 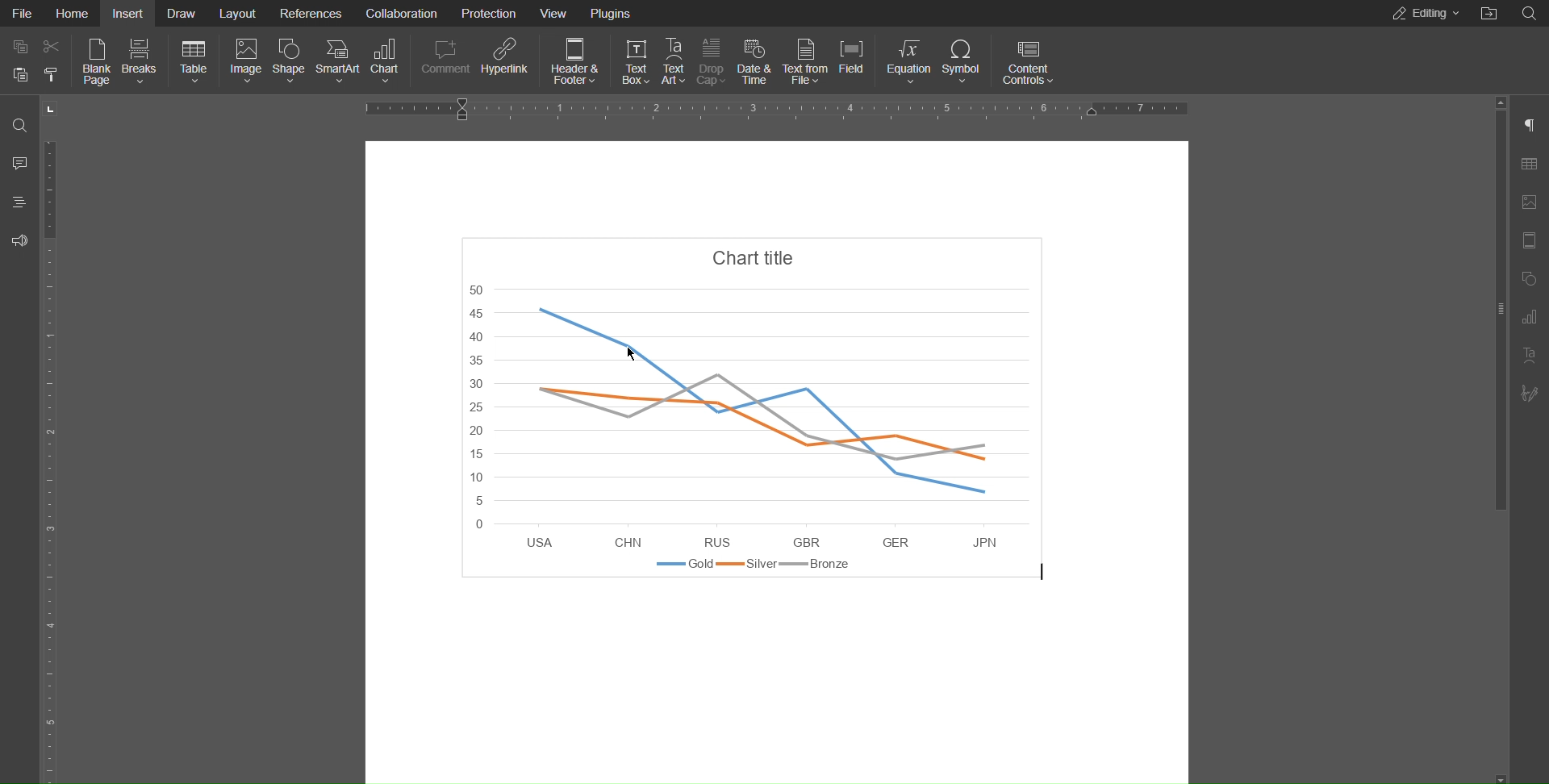 What do you see at coordinates (55, 457) in the screenshot?
I see `Vertical Ruler` at bounding box center [55, 457].